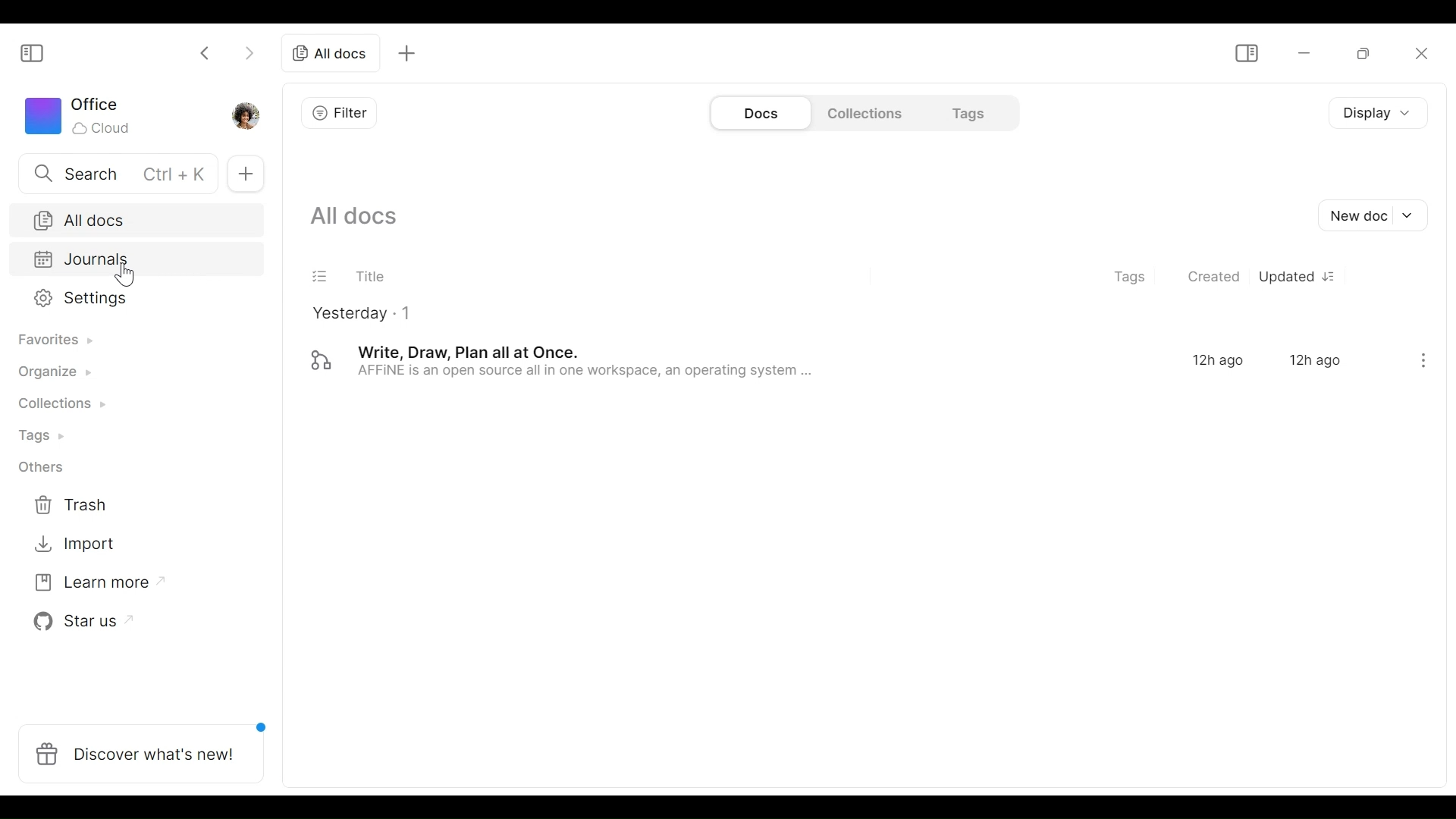 Image resolution: width=1456 pixels, height=819 pixels. What do you see at coordinates (247, 112) in the screenshot?
I see `Profile photo` at bounding box center [247, 112].